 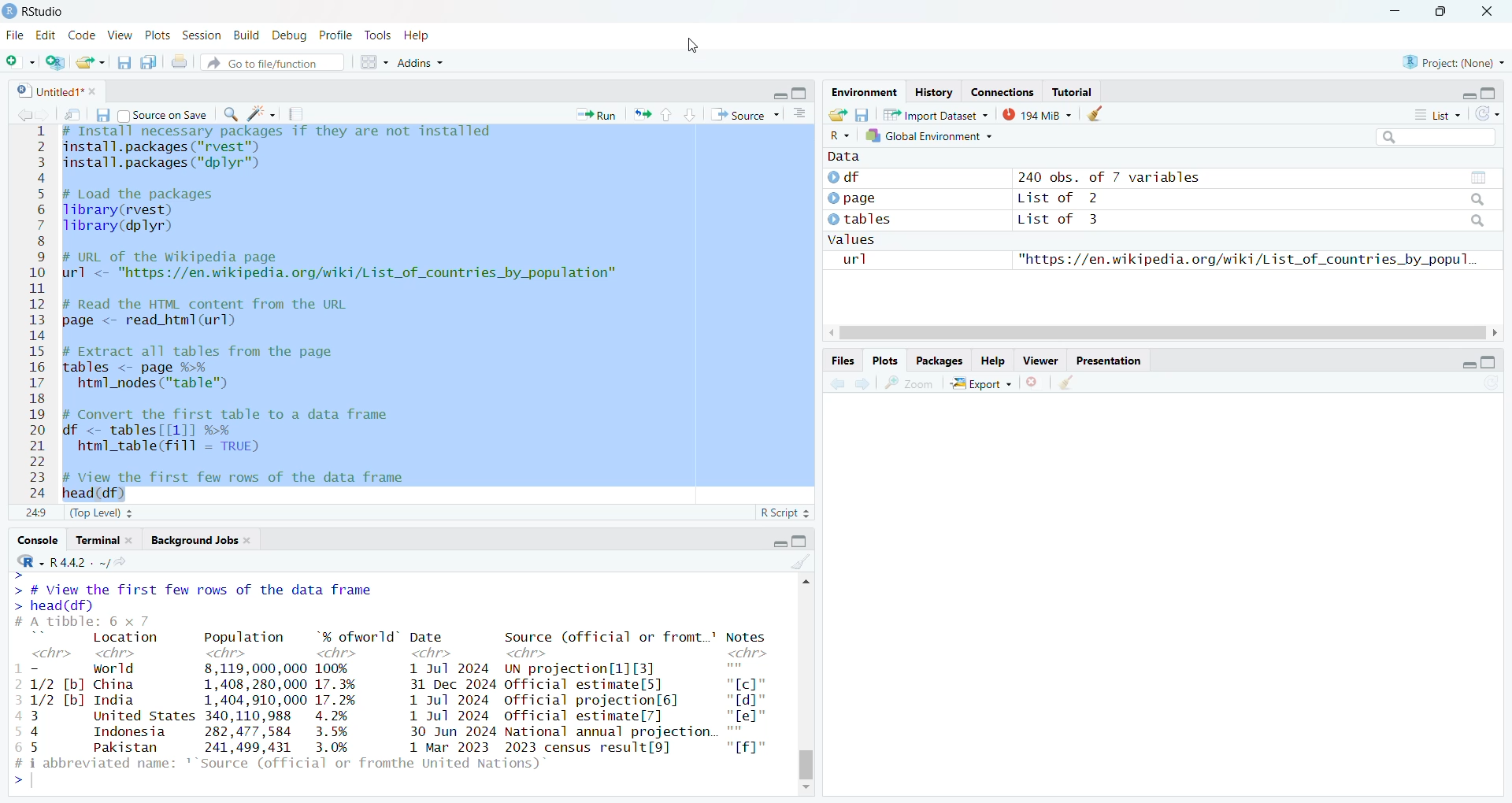 I want to click on rerun, so click(x=642, y=114).